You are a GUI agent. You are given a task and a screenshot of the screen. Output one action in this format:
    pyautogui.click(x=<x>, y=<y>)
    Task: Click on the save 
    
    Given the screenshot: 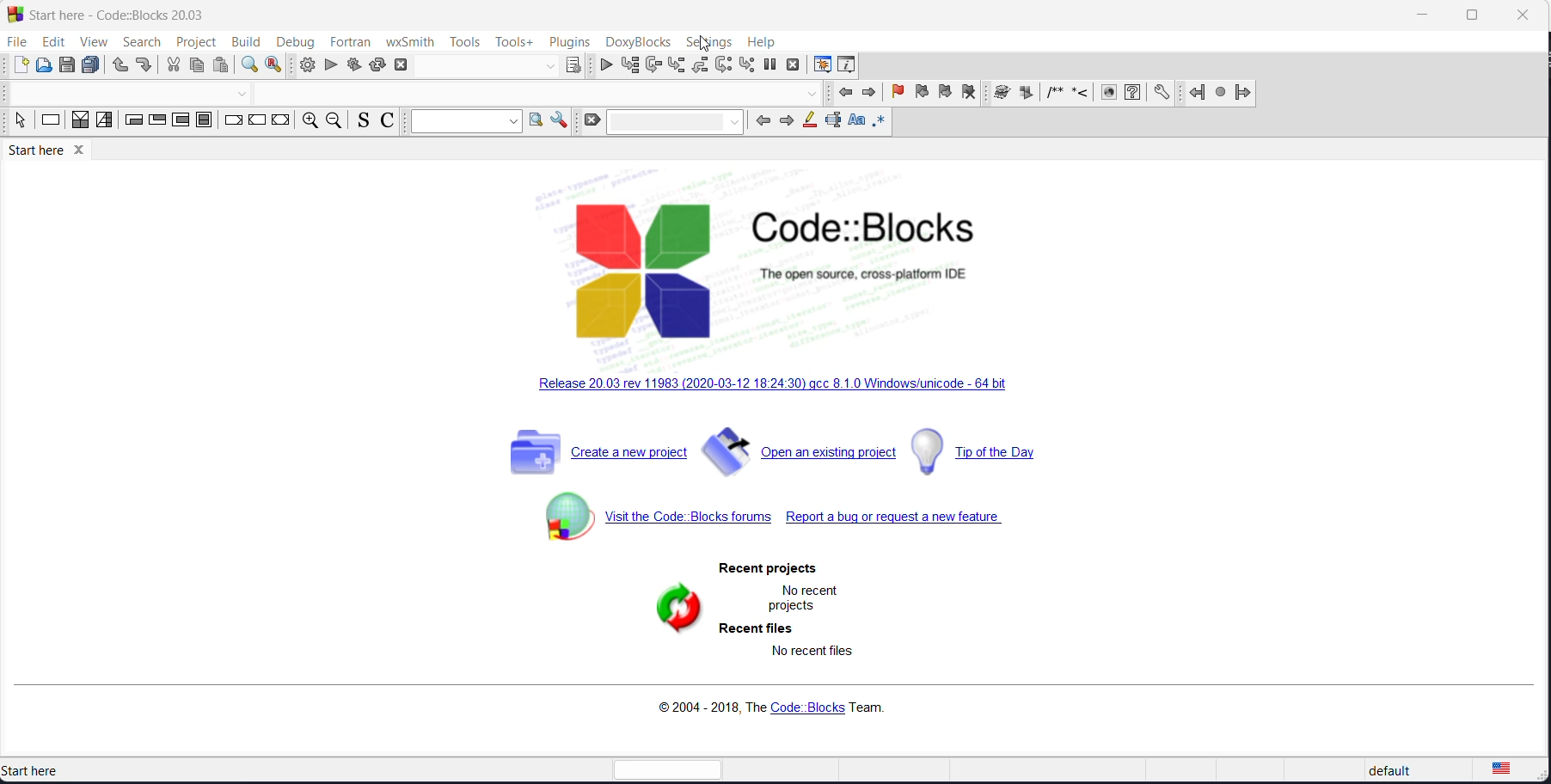 What is the action you would take?
    pyautogui.click(x=69, y=65)
    